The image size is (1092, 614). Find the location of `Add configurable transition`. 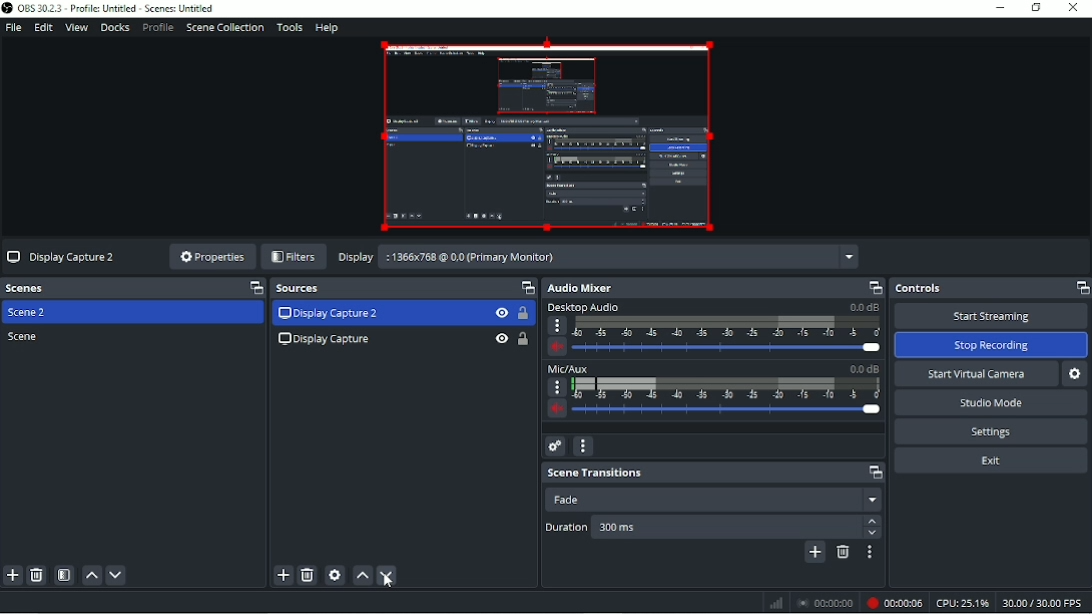

Add configurable transition is located at coordinates (814, 554).